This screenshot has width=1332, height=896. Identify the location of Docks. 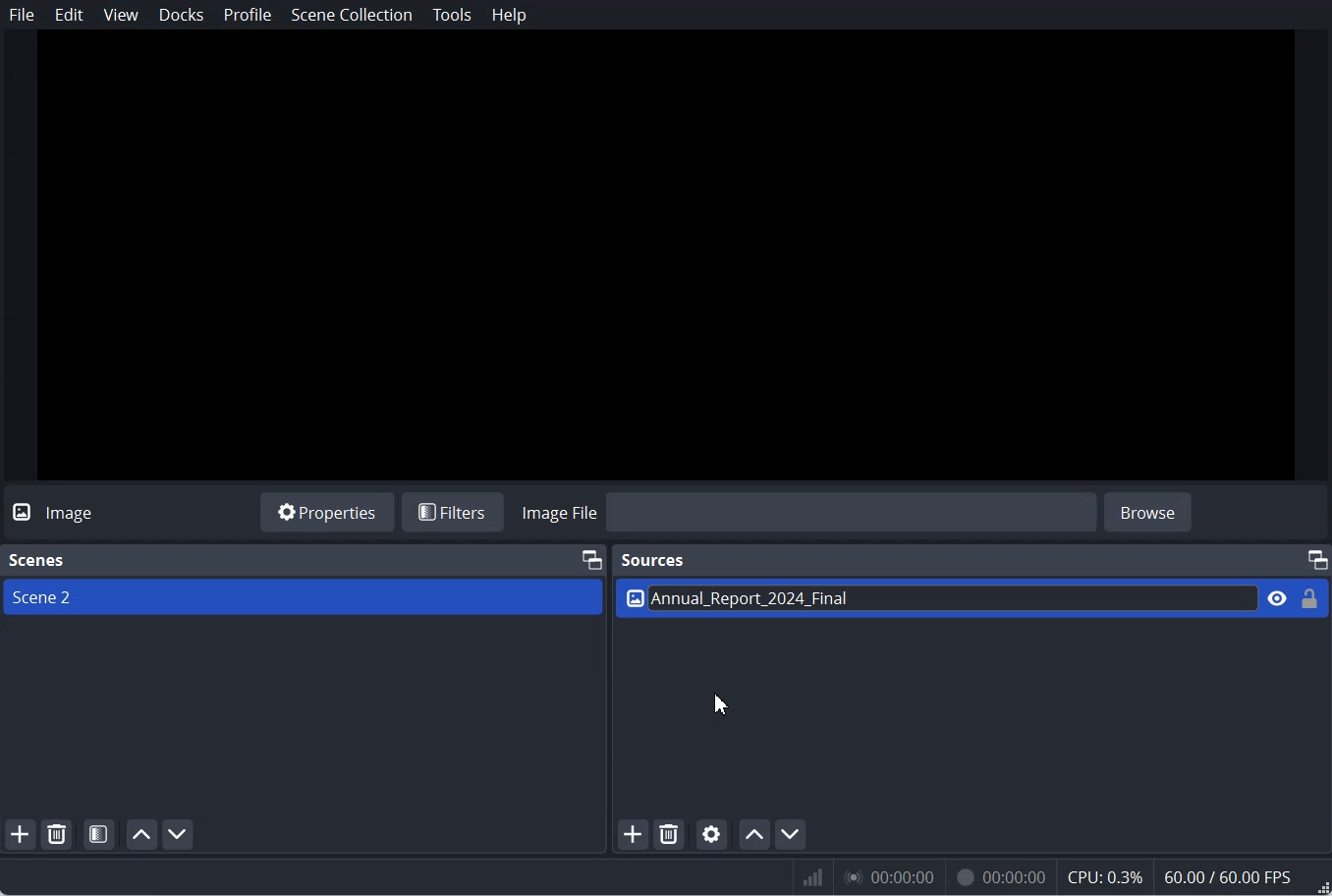
(182, 16).